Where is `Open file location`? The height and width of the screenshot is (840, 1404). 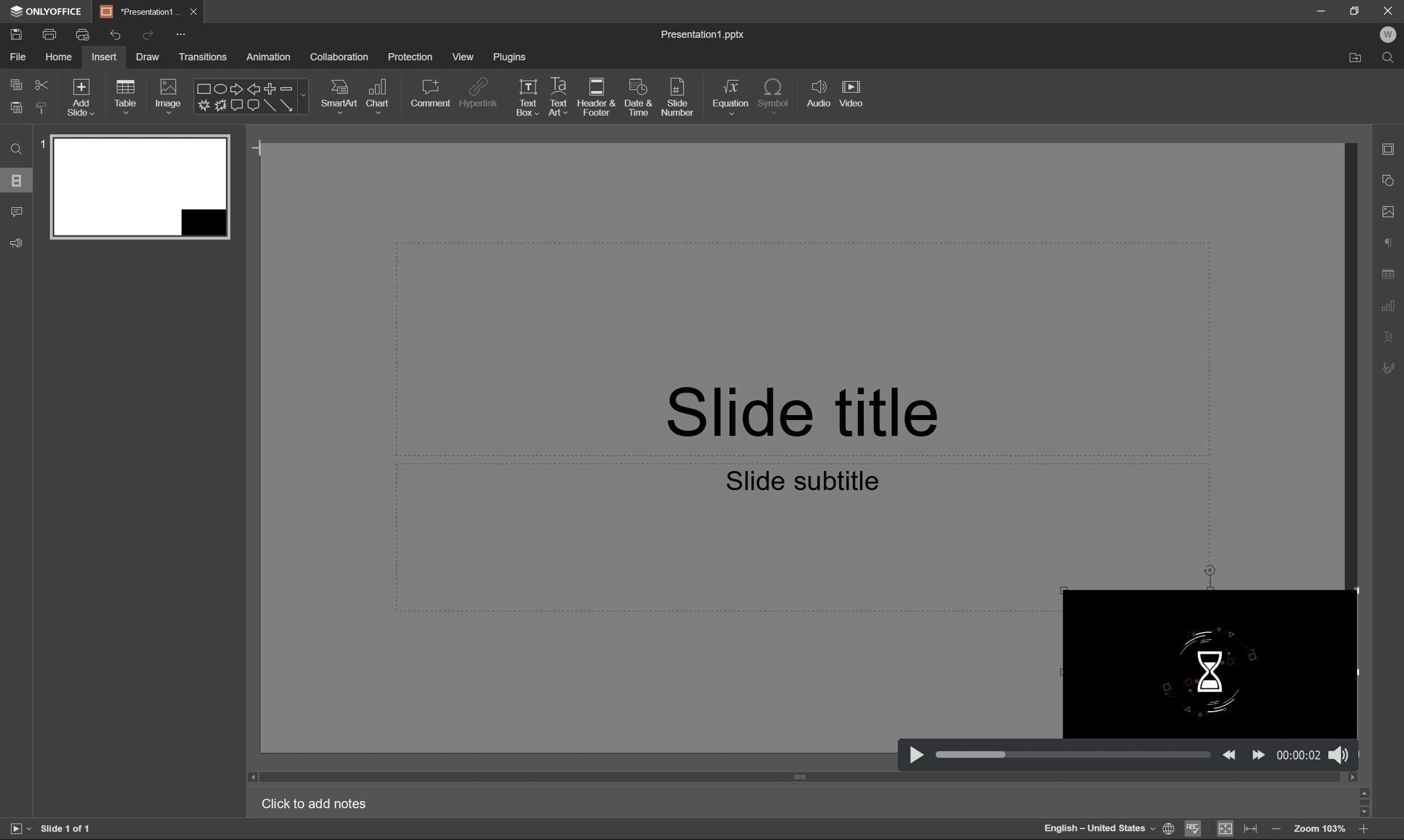 Open file location is located at coordinates (1359, 58).